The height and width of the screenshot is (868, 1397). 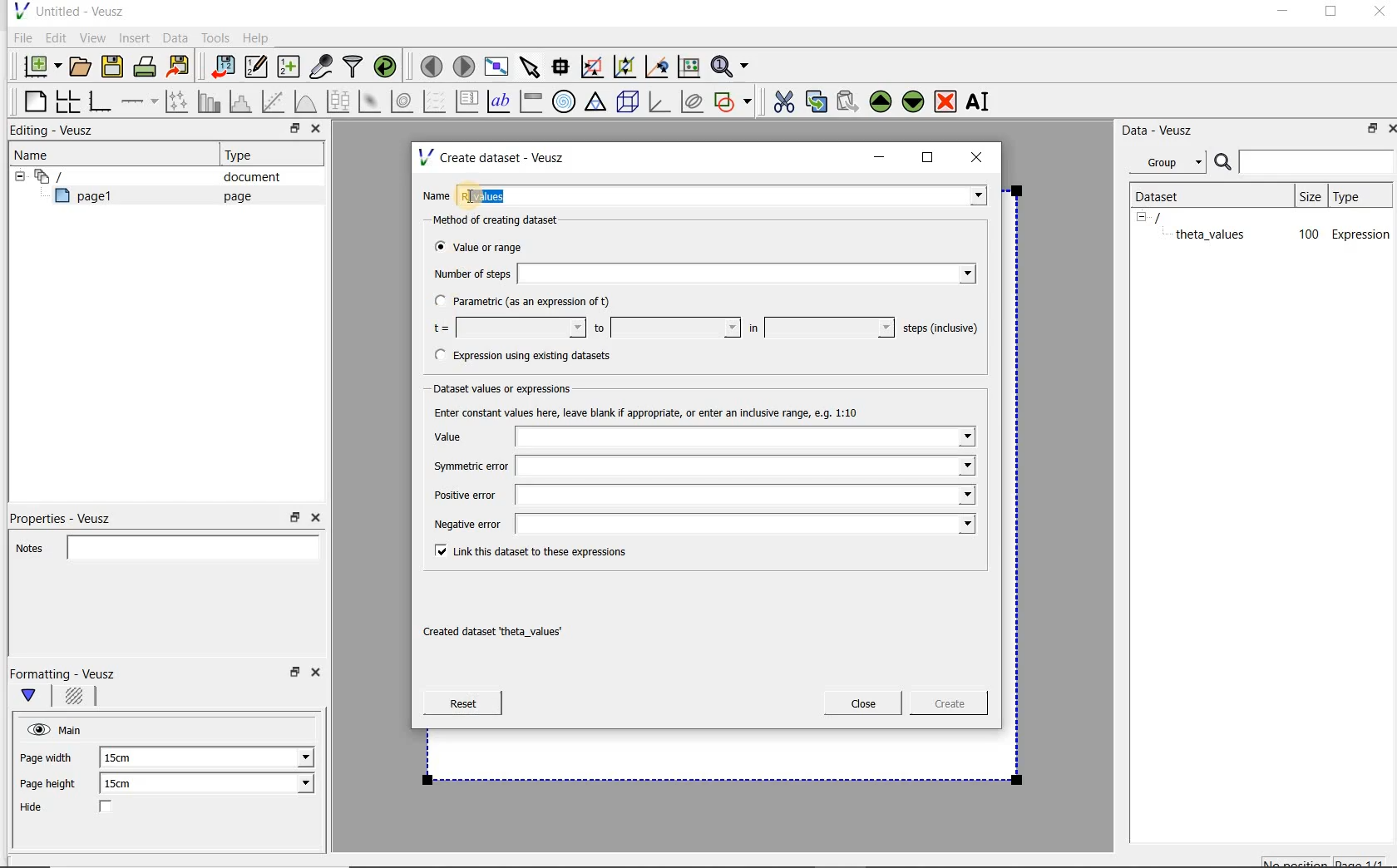 I want to click on maximize, so click(x=928, y=158).